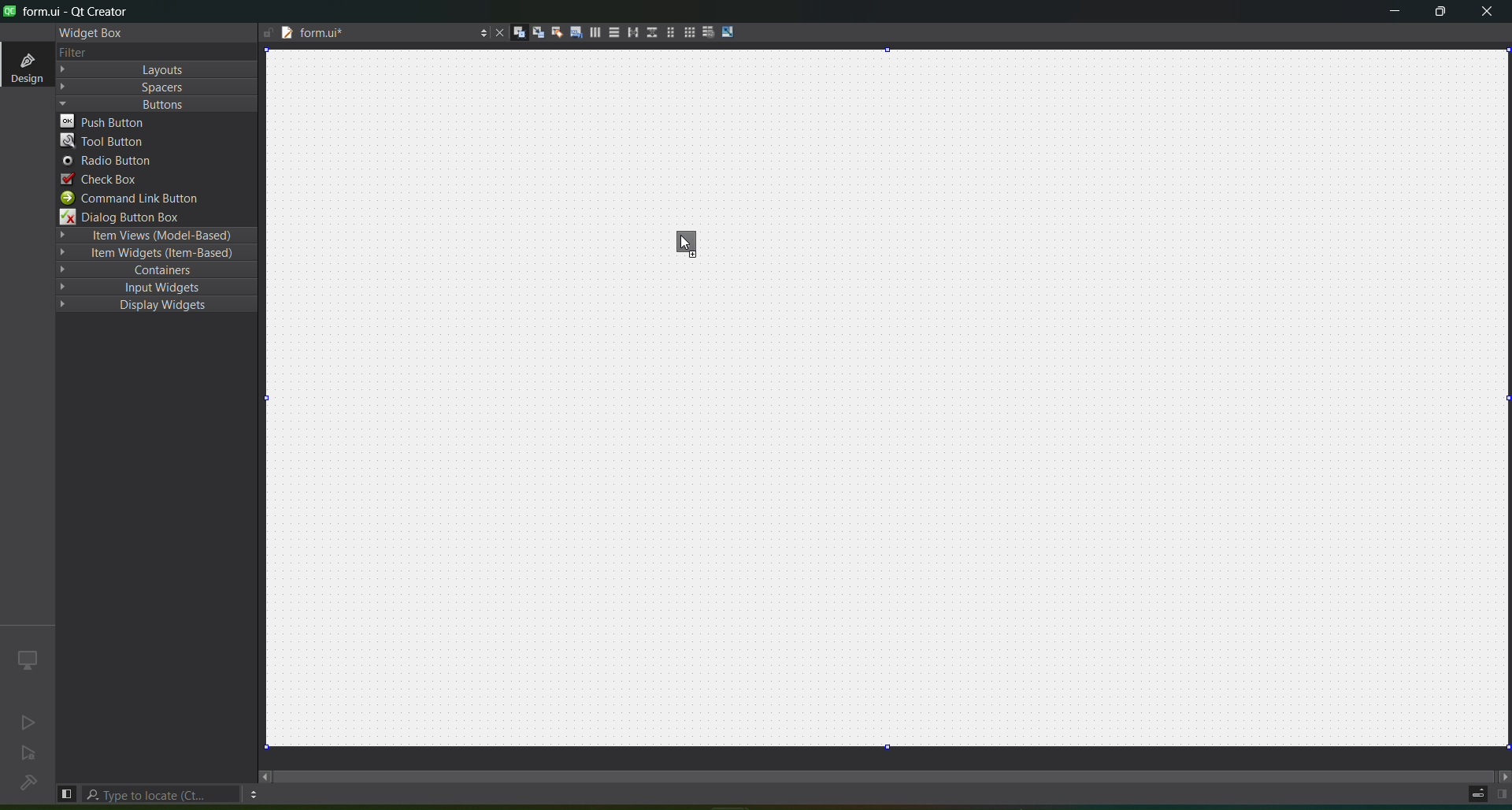 Image resolution: width=1512 pixels, height=810 pixels. What do you see at coordinates (1485, 14) in the screenshot?
I see `close` at bounding box center [1485, 14].